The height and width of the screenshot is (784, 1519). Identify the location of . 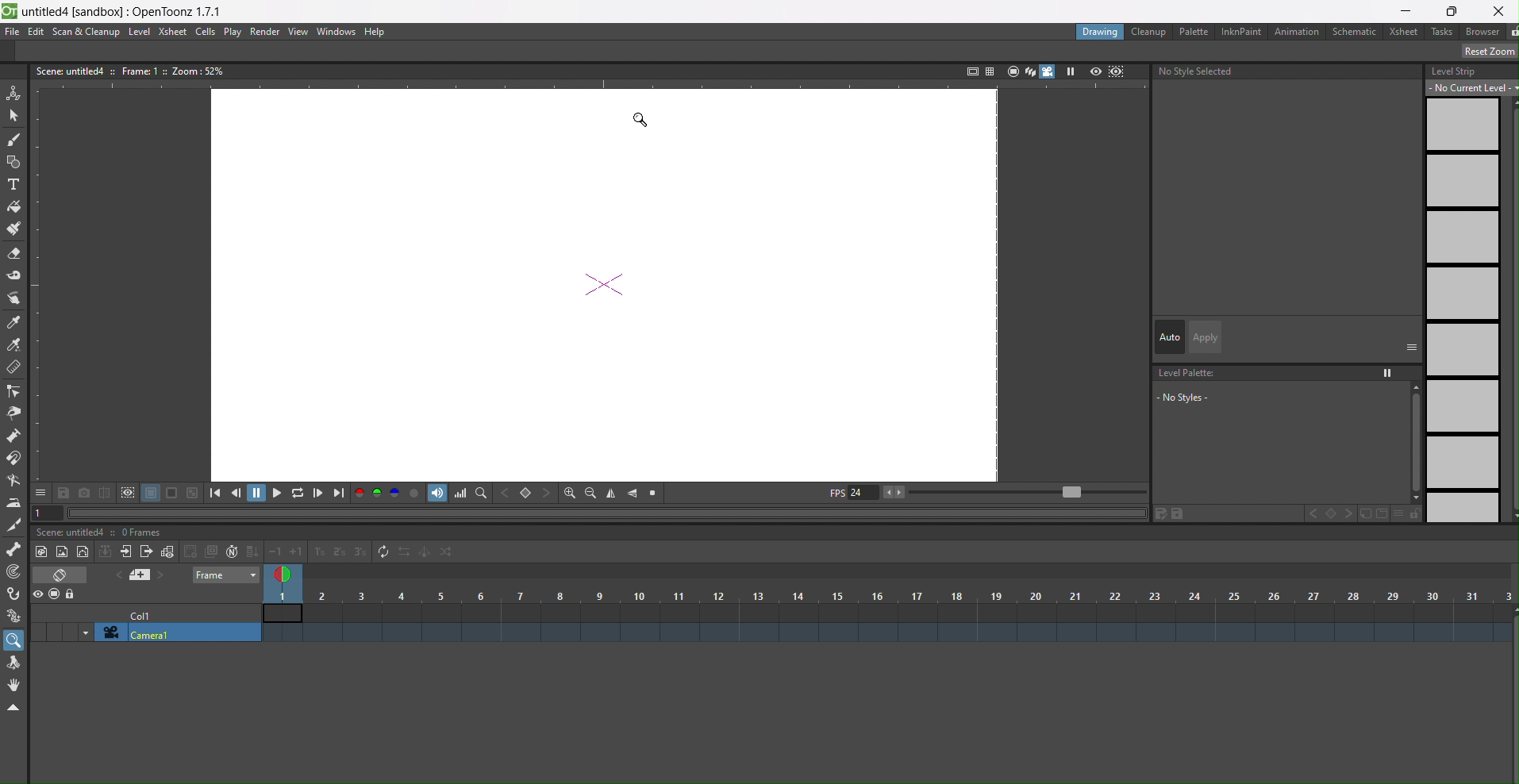
(425, 553).